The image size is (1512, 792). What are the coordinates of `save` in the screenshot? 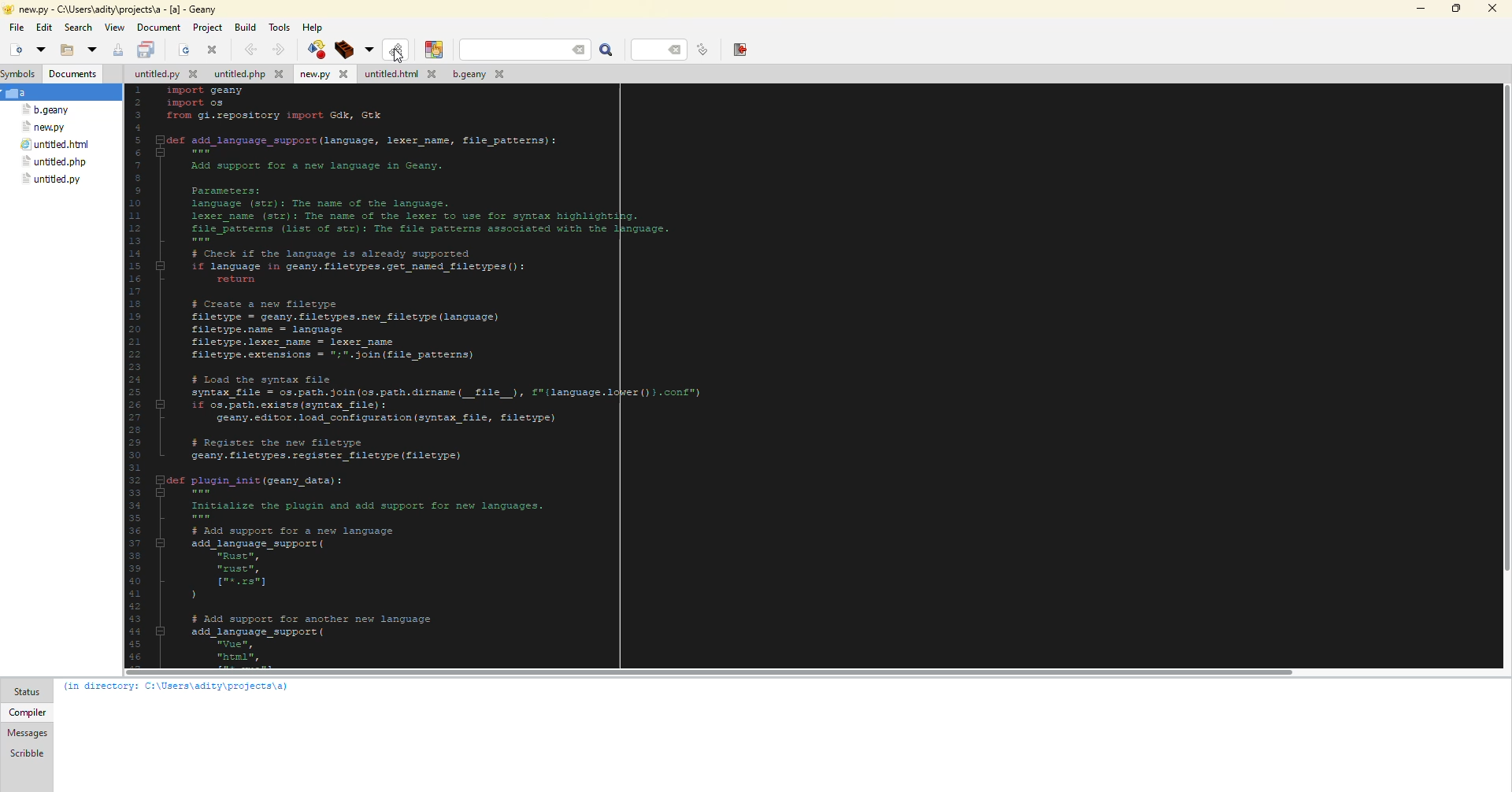 It's located at (146, 50).